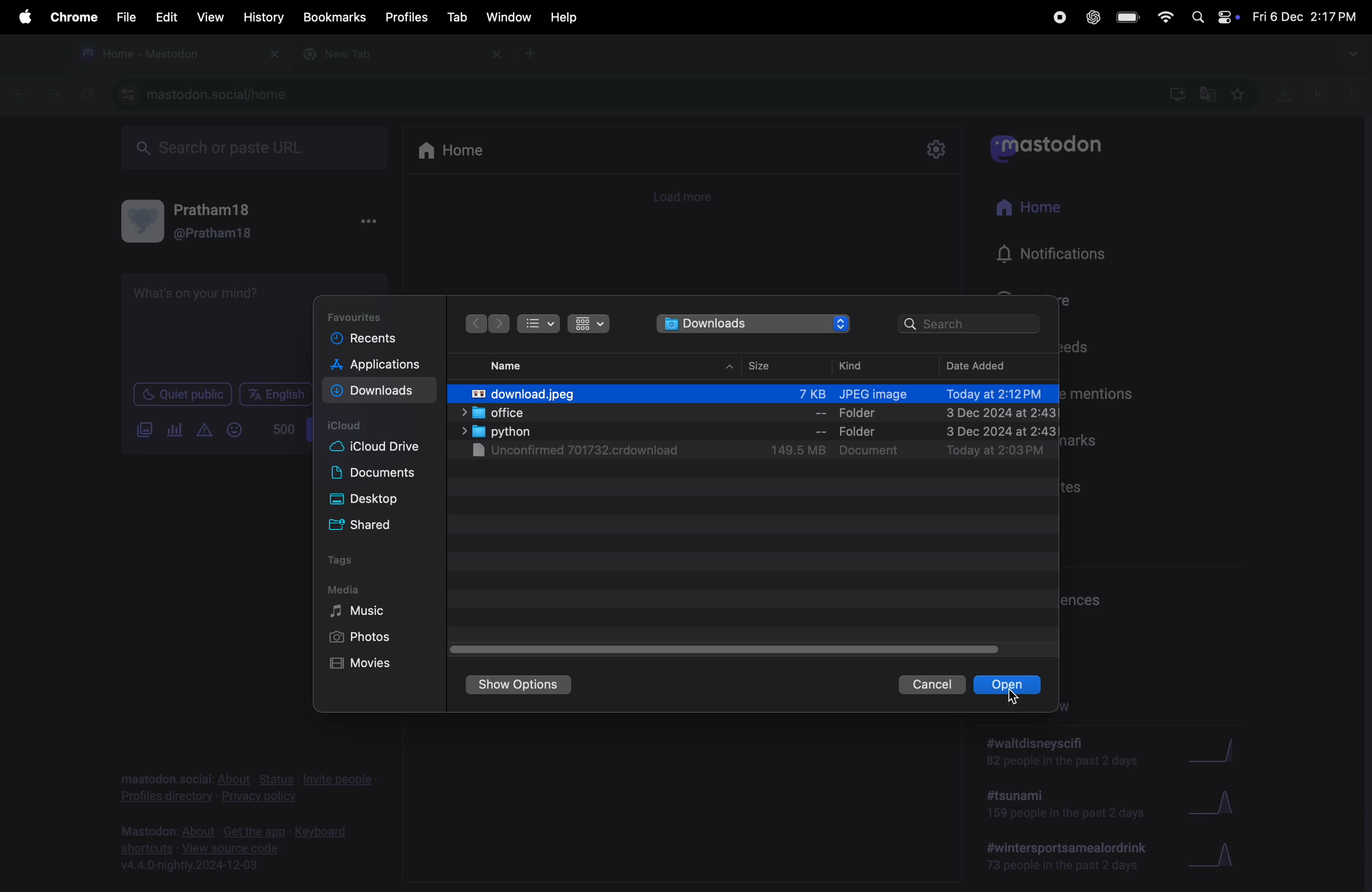  I want to click on size, so click(759, 364).